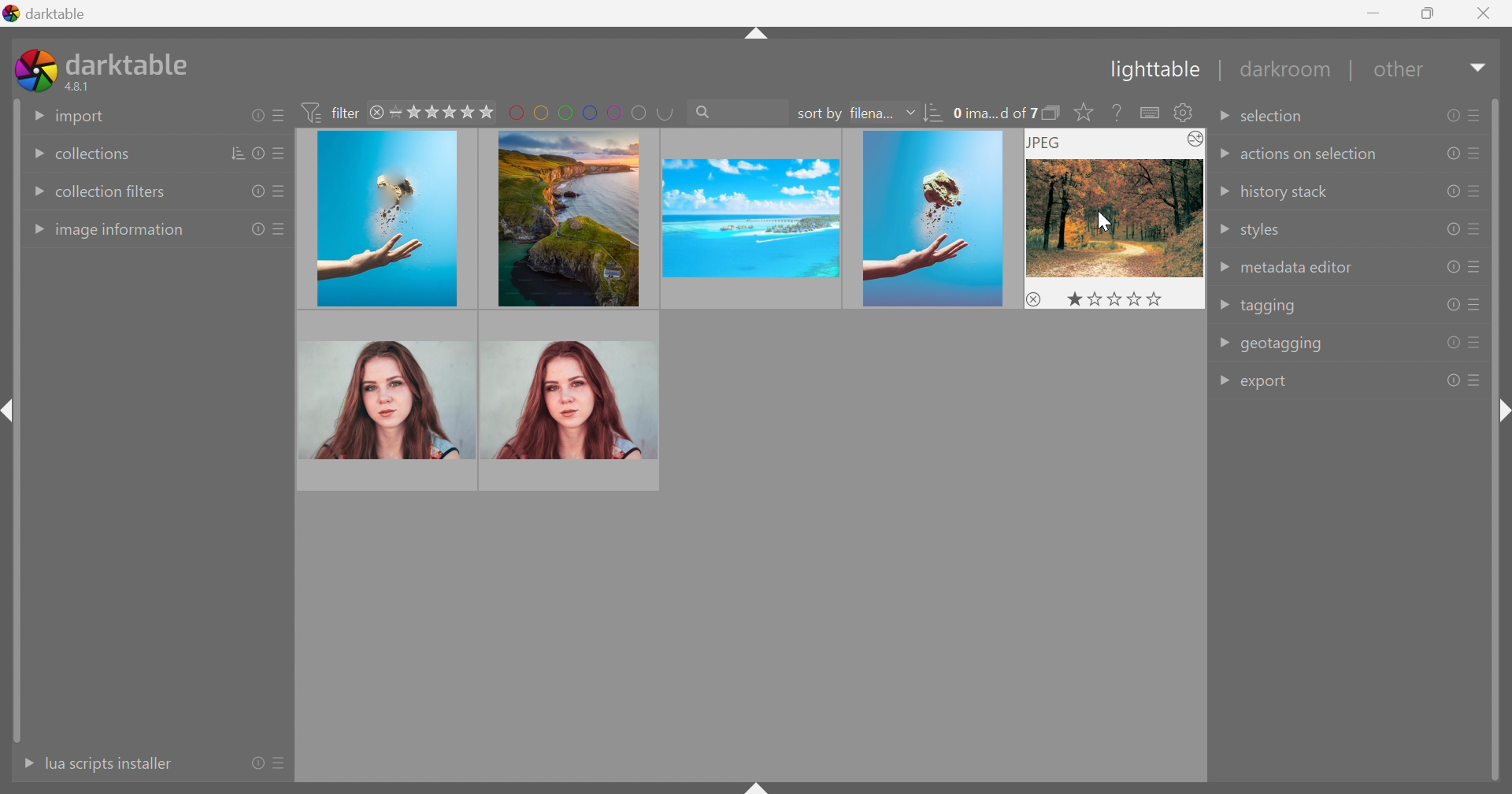  Describe the element at coordinates (1222, 305) in the screenshot. I see `Drop Down` at that location.